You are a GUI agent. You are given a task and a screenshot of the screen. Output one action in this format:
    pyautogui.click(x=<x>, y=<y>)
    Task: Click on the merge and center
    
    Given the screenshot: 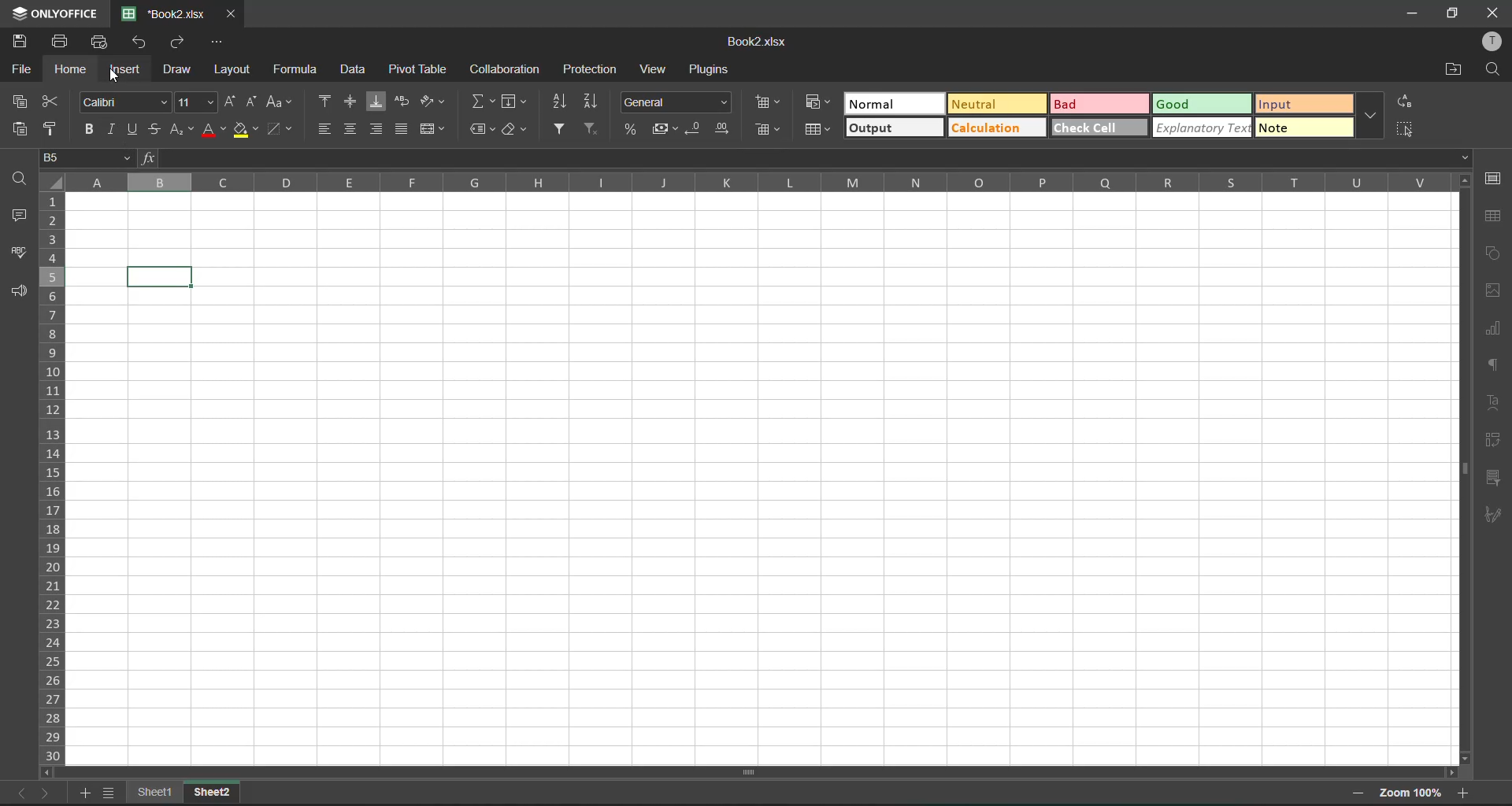 What is the action you would take?
    pyautogui.click(x=439, y=129)
    